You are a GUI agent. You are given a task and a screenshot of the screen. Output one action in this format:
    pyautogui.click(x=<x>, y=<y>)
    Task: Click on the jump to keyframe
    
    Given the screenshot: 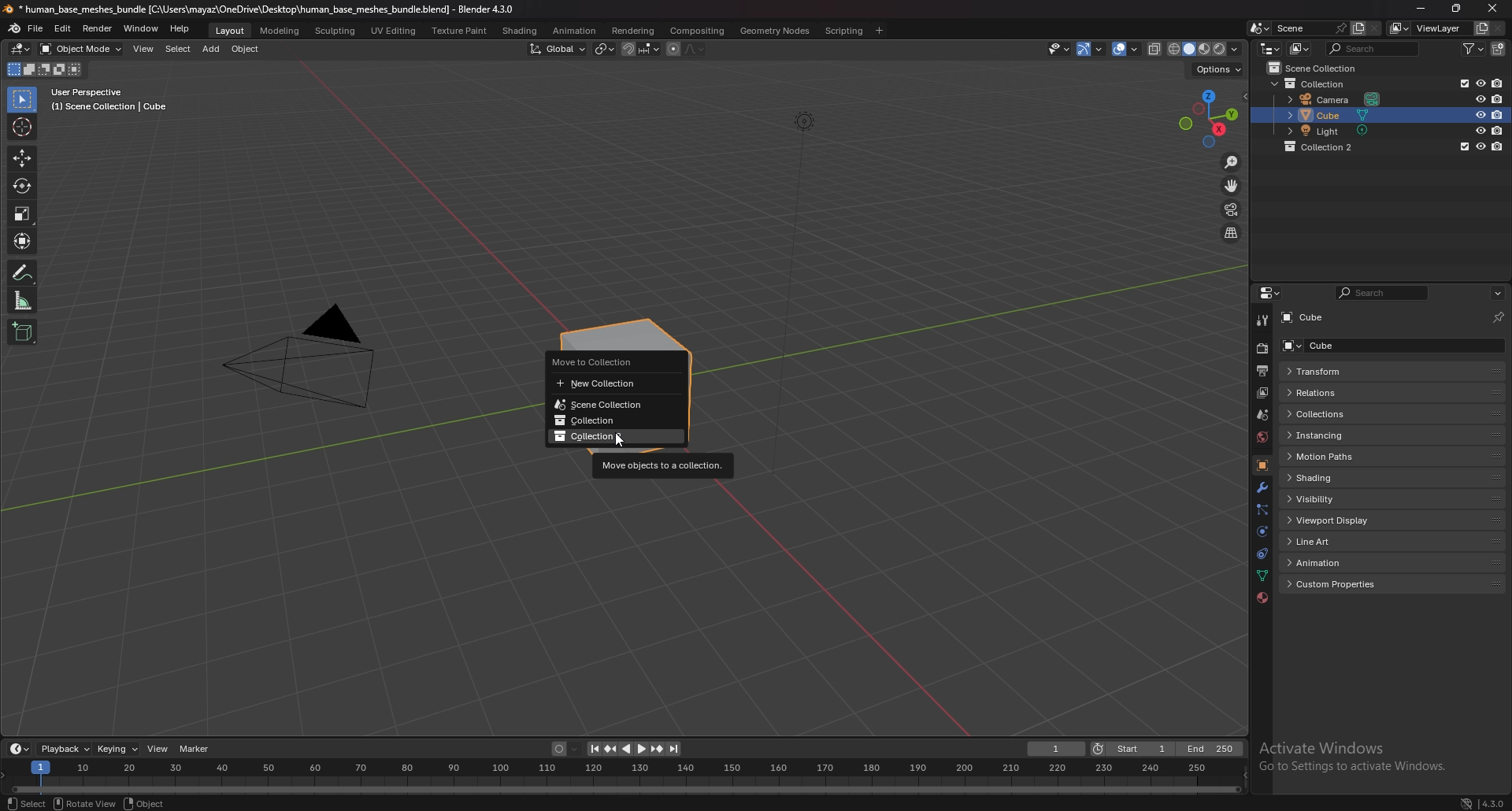 What is the action you would take?
    pyautogui.click(x=610, y=749)
    